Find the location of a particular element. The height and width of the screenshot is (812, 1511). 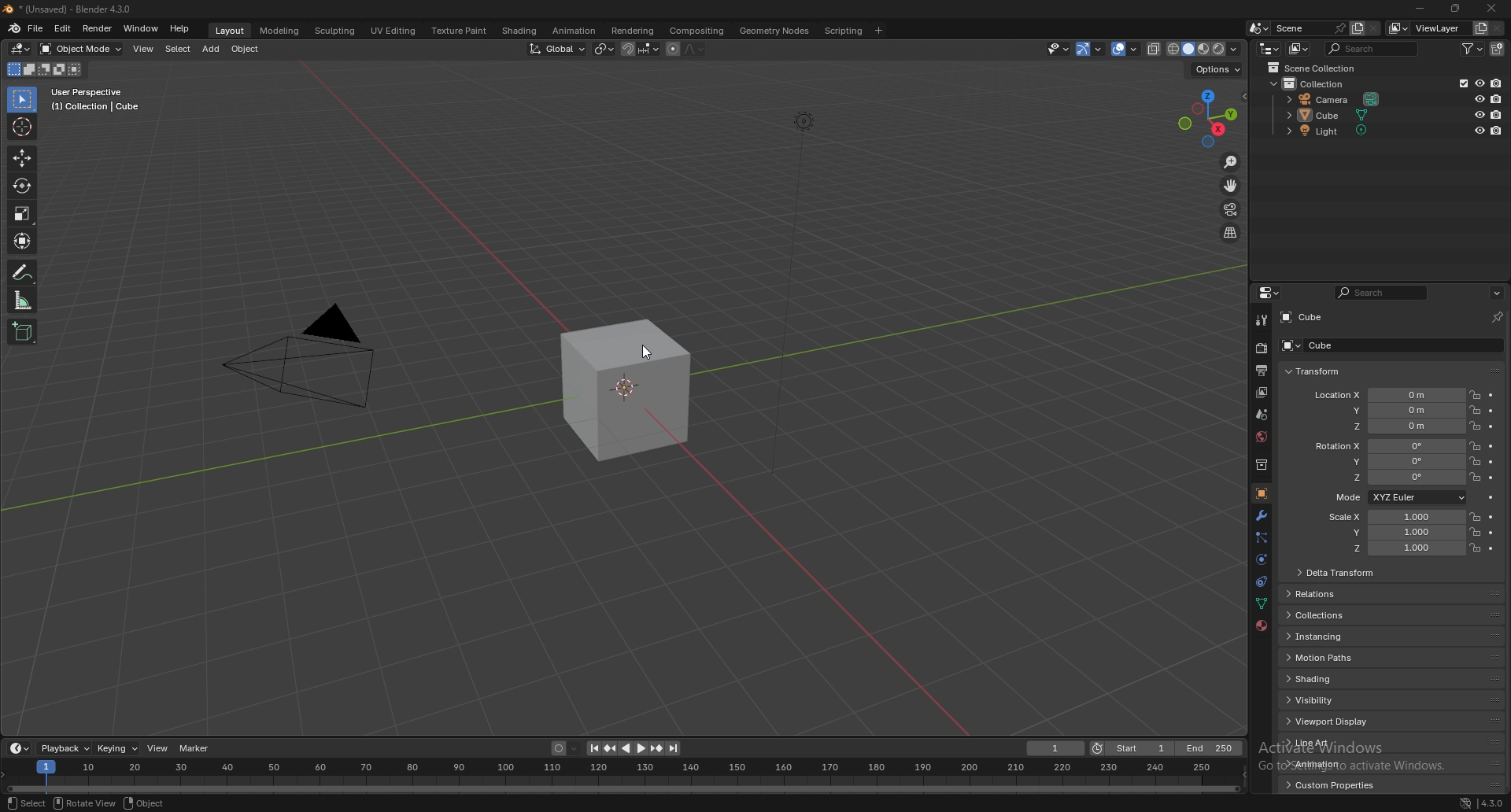

disable in render is located at coordinates (1499, 114).